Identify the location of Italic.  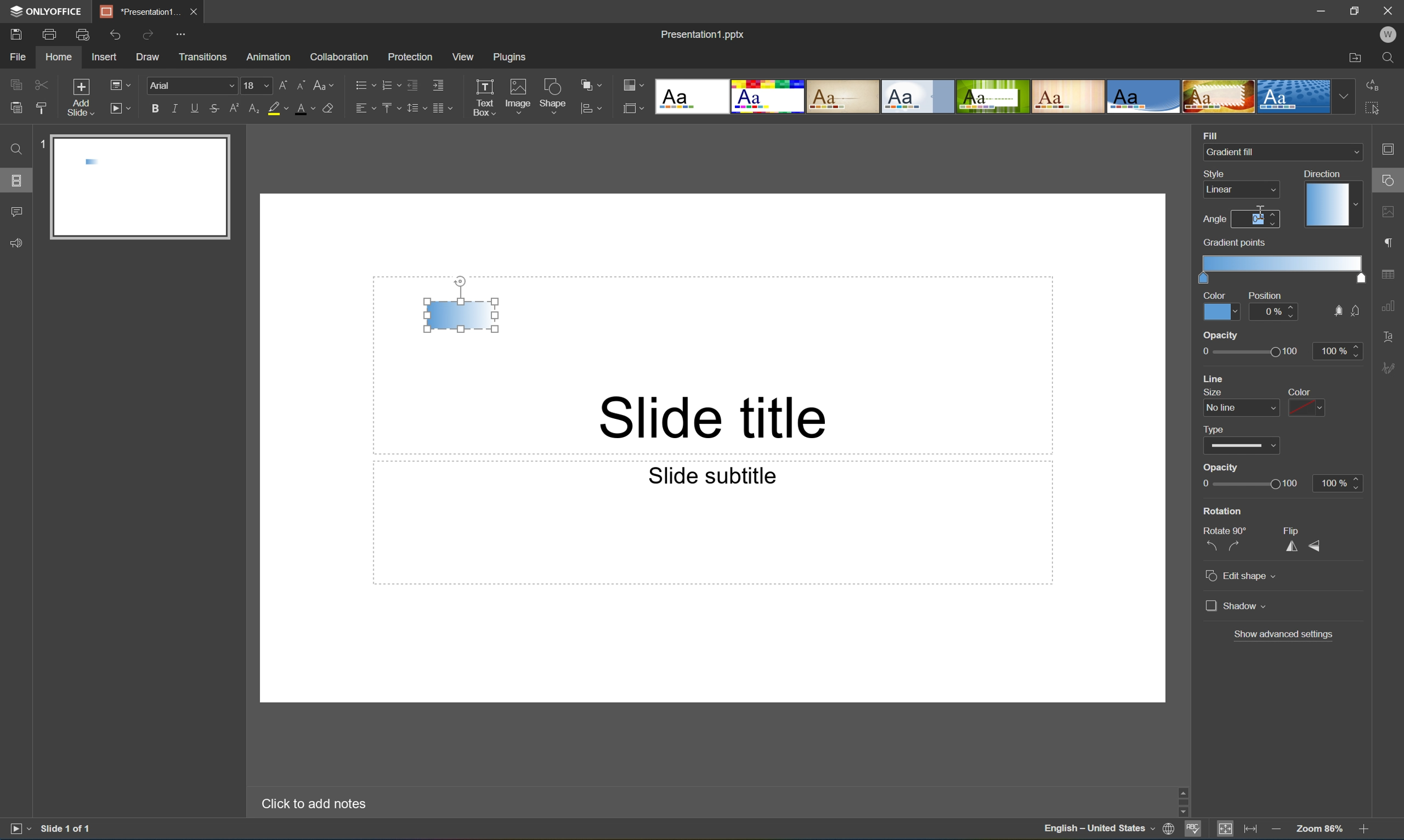
(174, 109).